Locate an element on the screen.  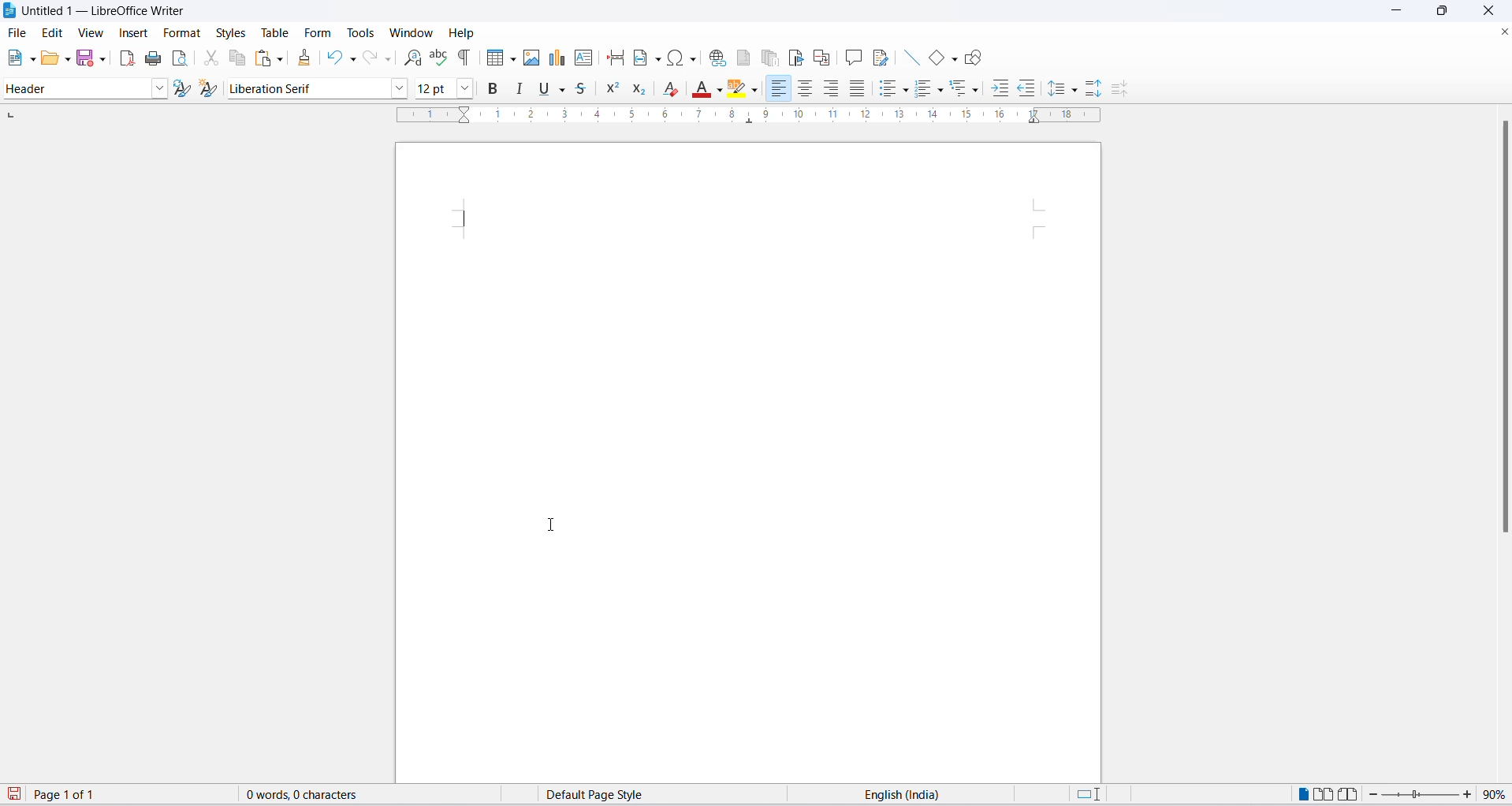
toggle formatting marks is located at coordinates (465, 57).